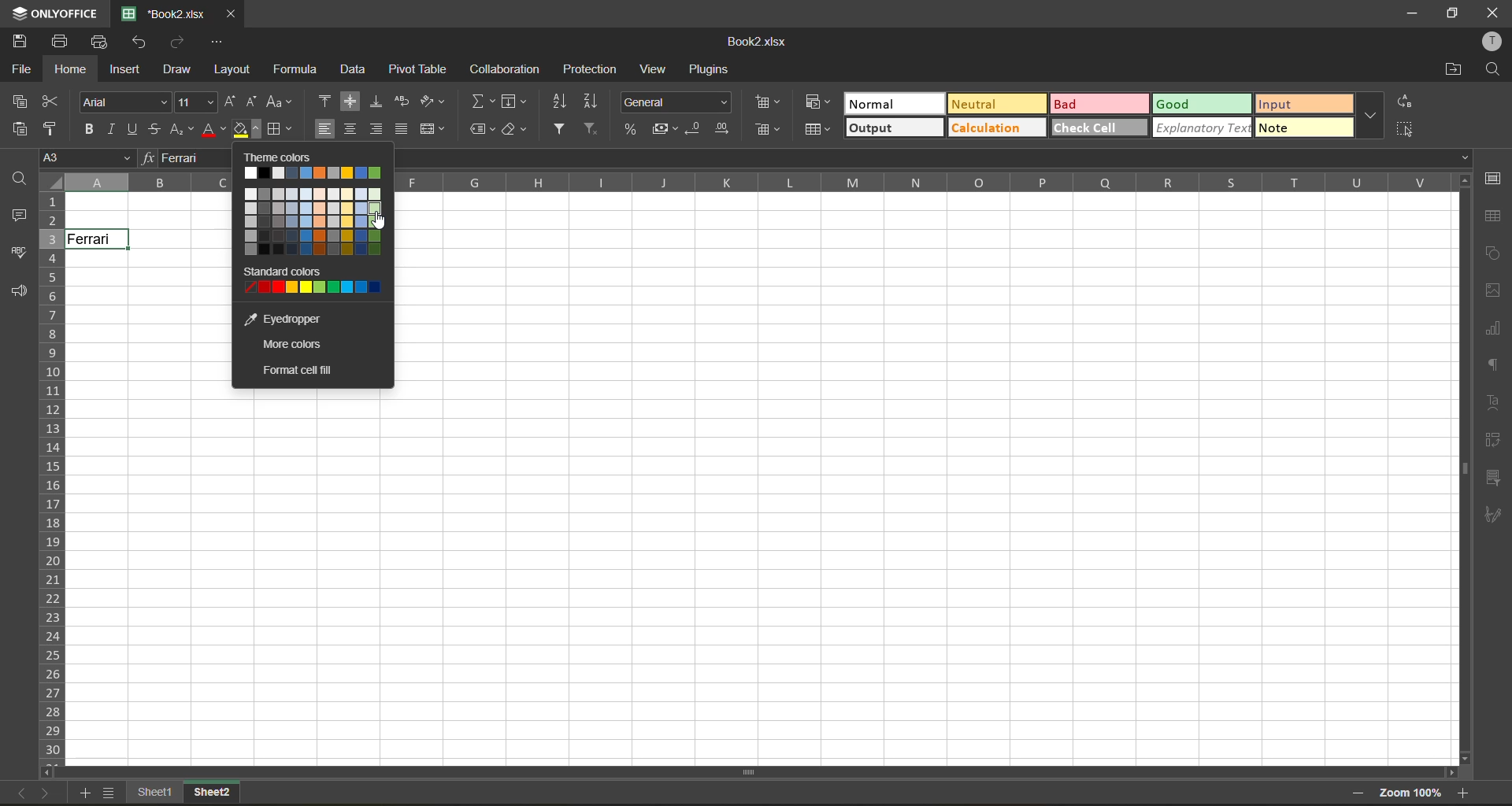 The width and height of the screenshot is (1512, 806). What do you see at coordinates (295, 315) in the screenshot?
I see `eyedropper` at bounding box center [295, 315].